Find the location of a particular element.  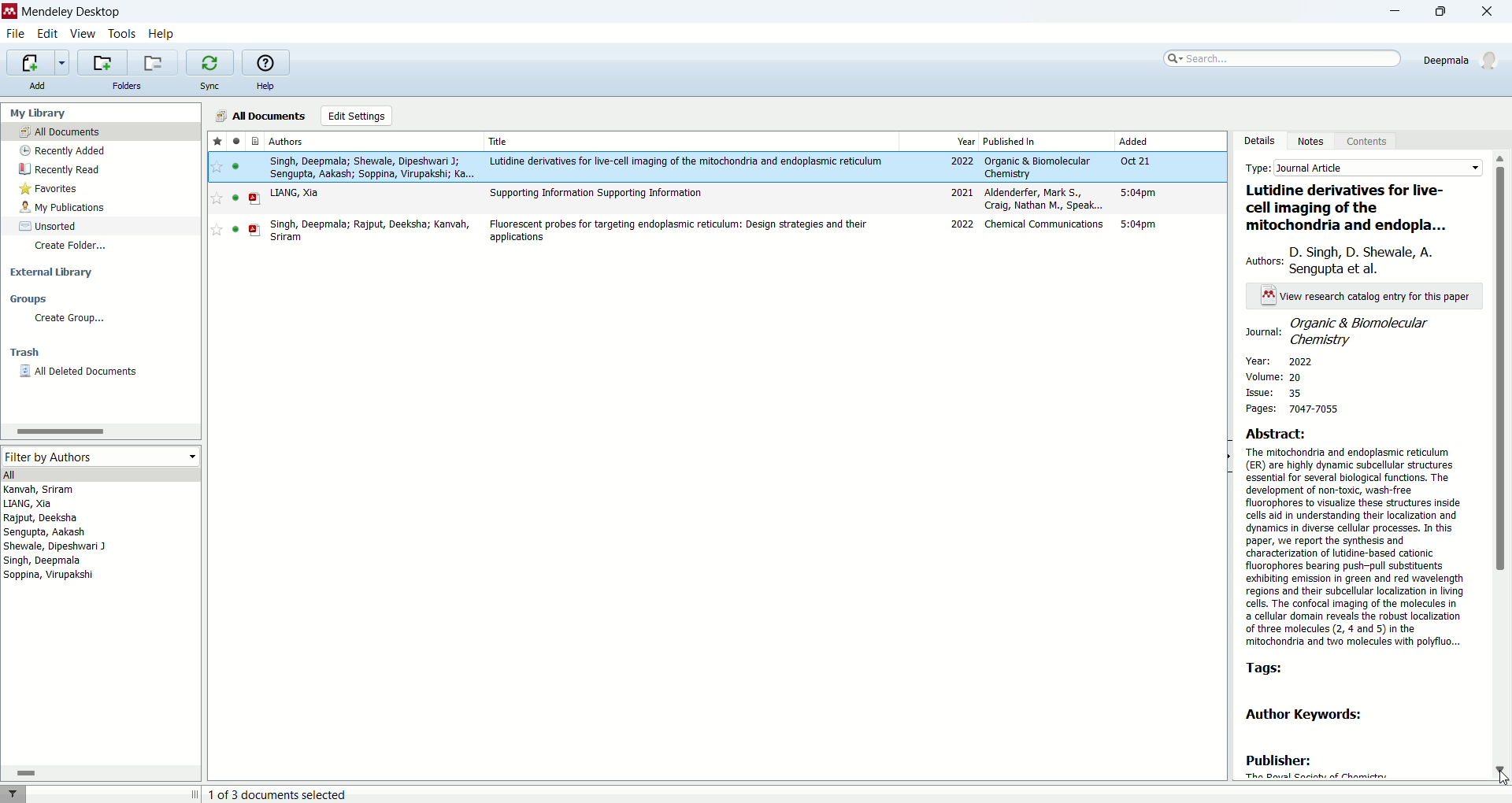

5:04pm is located at coordinates (1139, 192).